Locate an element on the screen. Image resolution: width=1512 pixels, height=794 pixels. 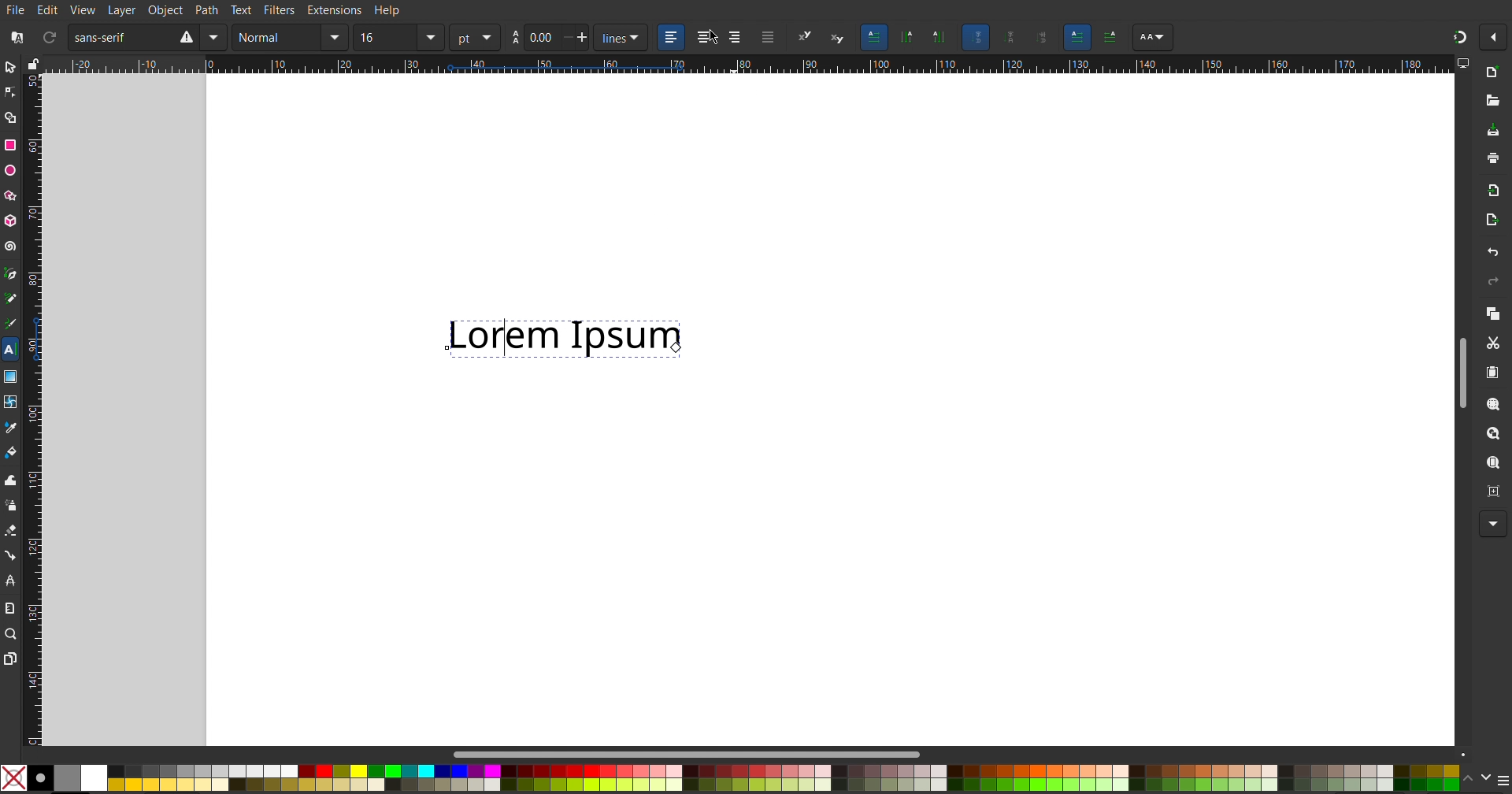
Upright glpyh annotation is located at coordinates (1014, 37).